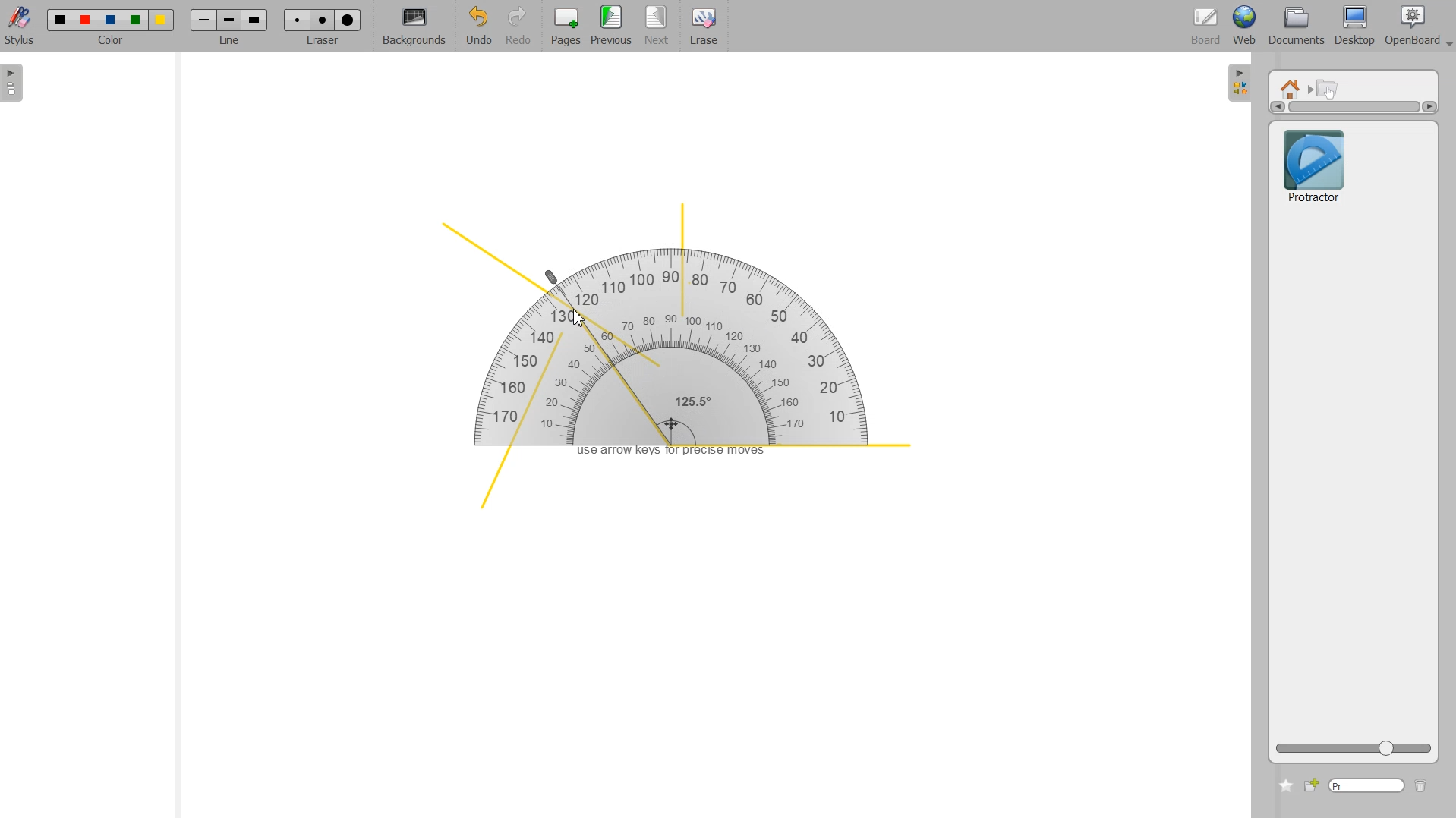  What do you see at coordinates (229, 15) in the screenshot?
I see `Line` at bounding box center [229, 15].